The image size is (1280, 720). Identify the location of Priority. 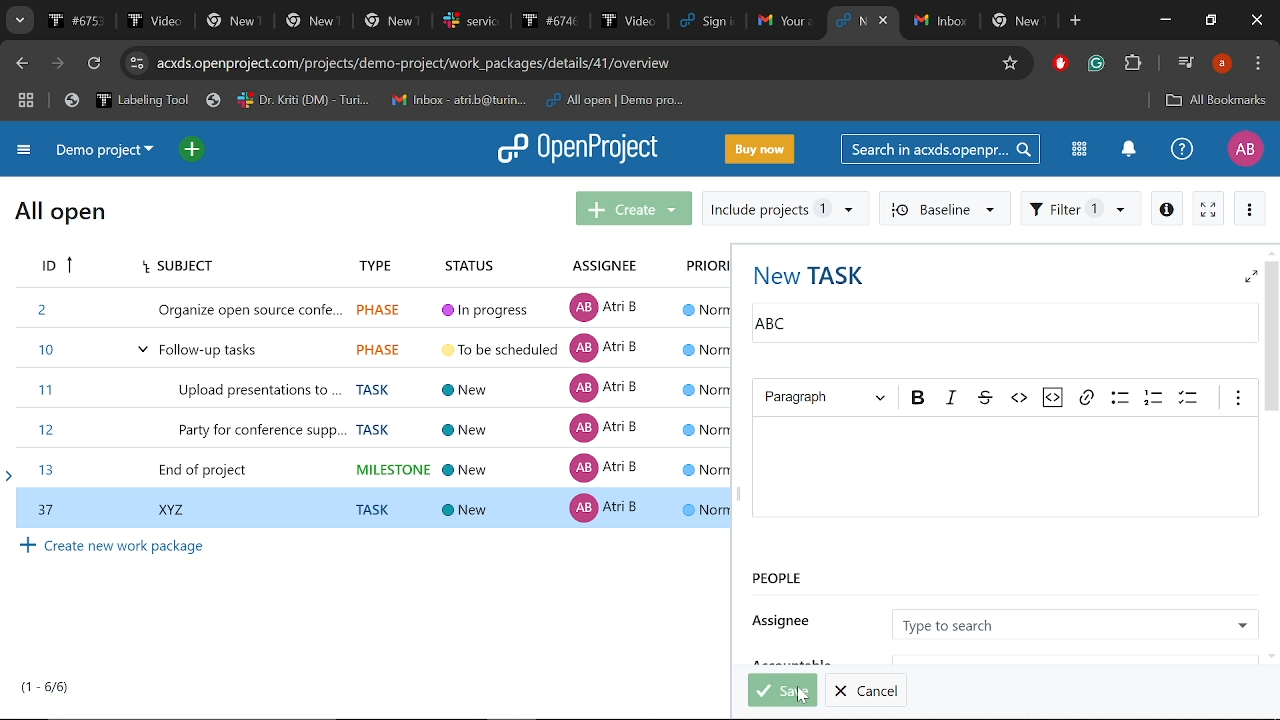
(702, 267).